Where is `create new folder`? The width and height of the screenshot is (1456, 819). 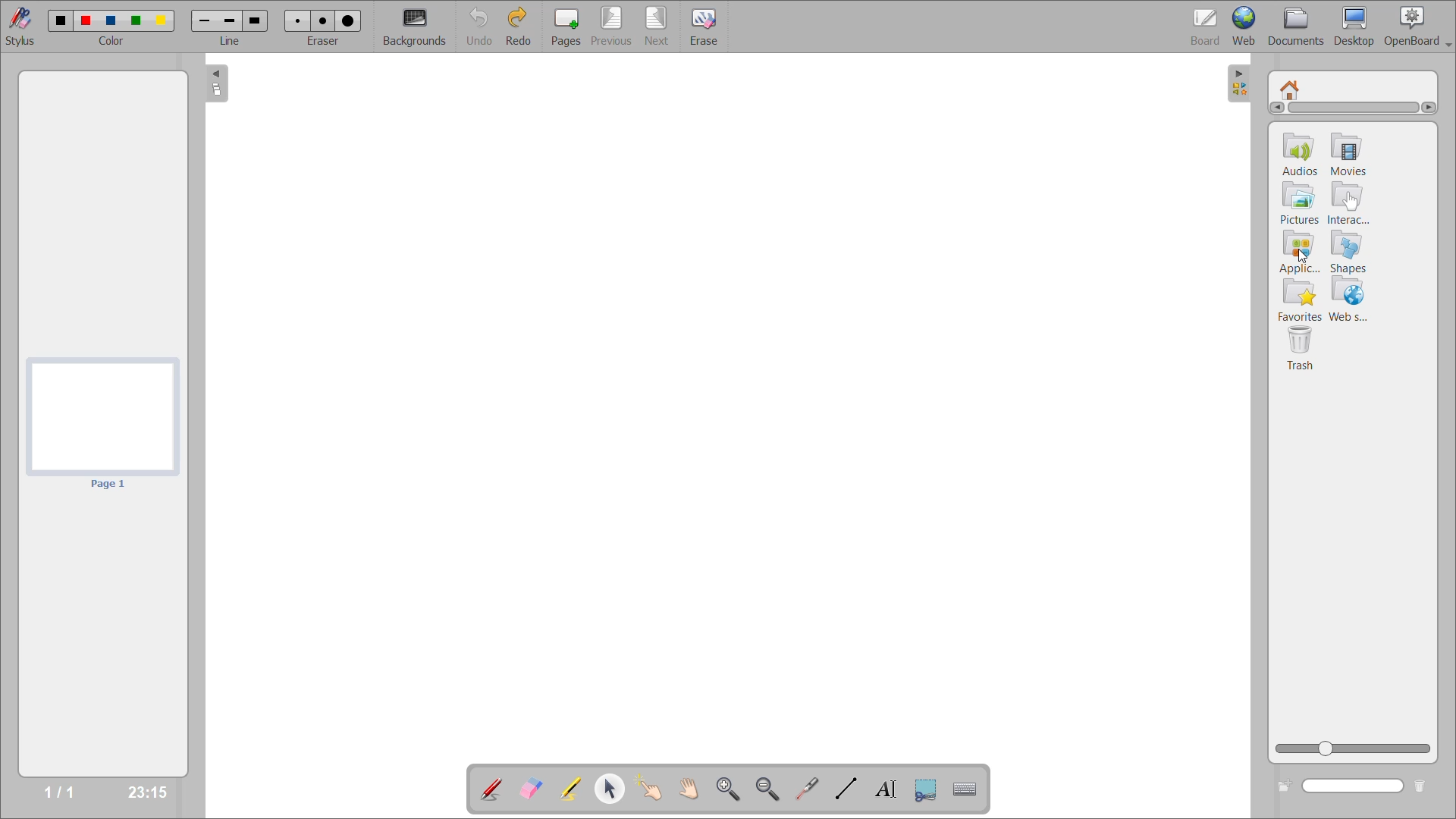
create new folder is located at coordinates (1282, 786).